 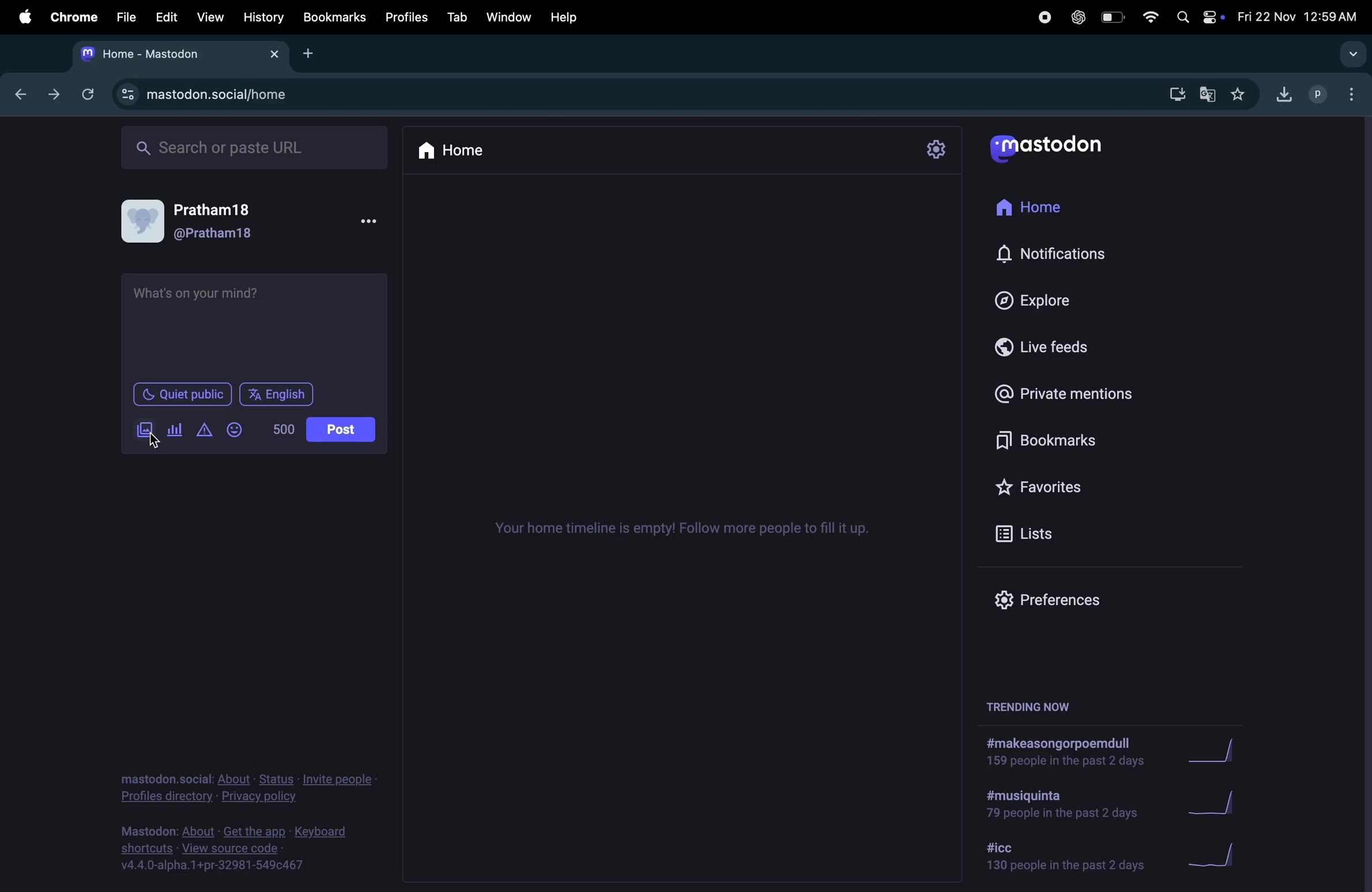 What do you see at coordinates (144, 220) in the screenshot?
I see `display picture` at bounding box center [144, 220].